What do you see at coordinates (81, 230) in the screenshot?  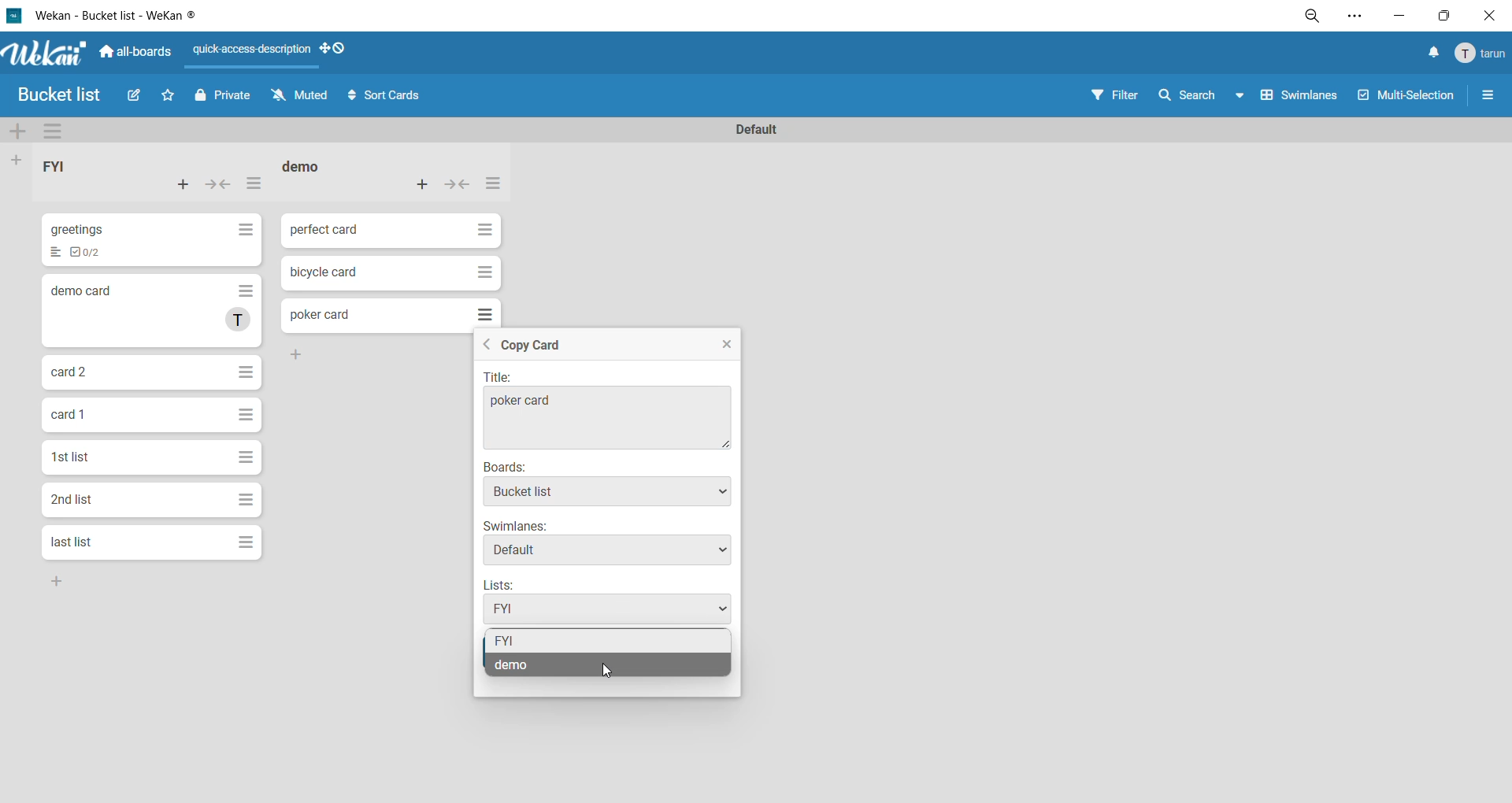 I see `greetings` at bounding box center [81, 230].